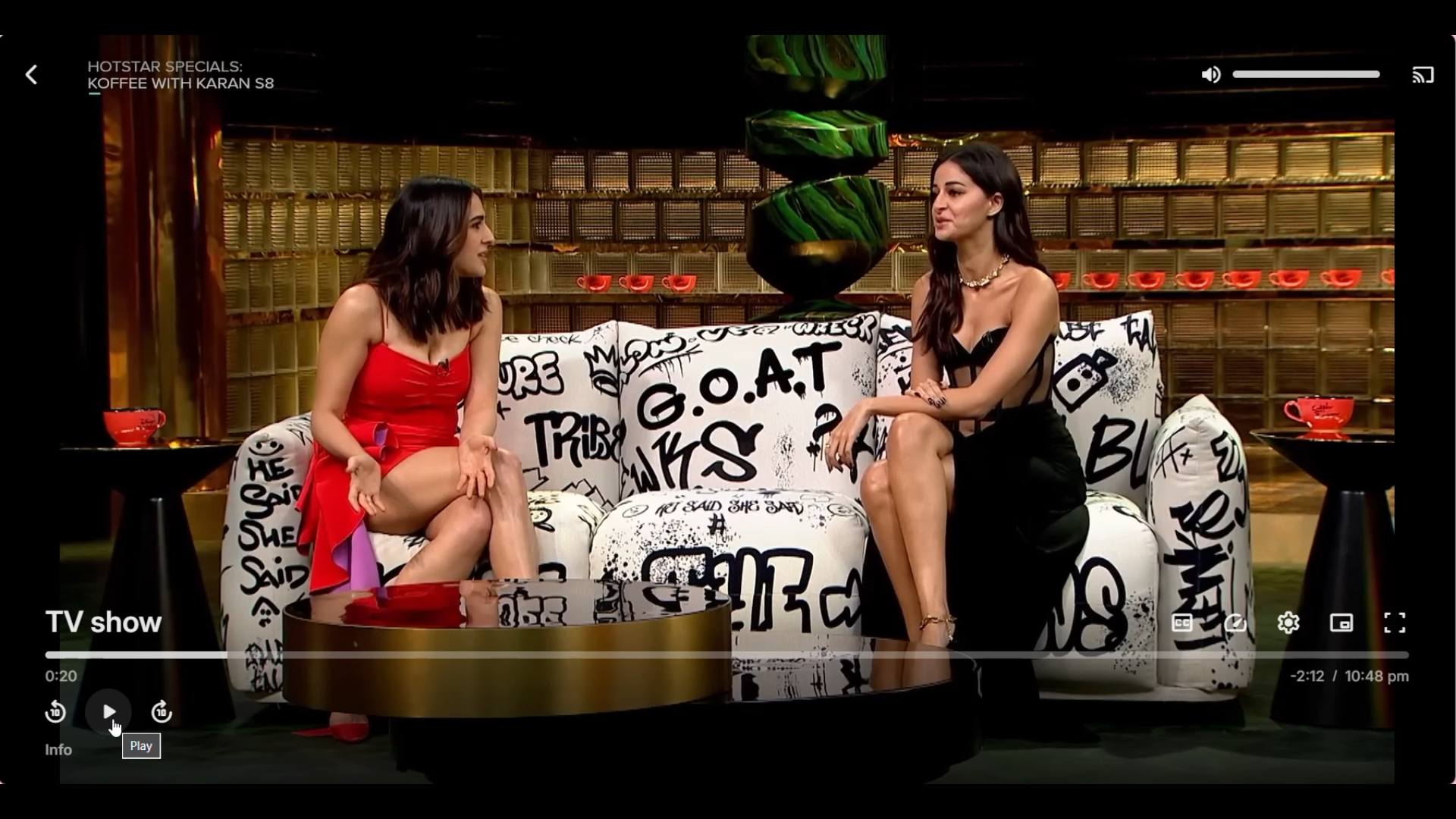 This screenshot has width=1456, height=819. I want to click on Episode details, so click(182, 76).